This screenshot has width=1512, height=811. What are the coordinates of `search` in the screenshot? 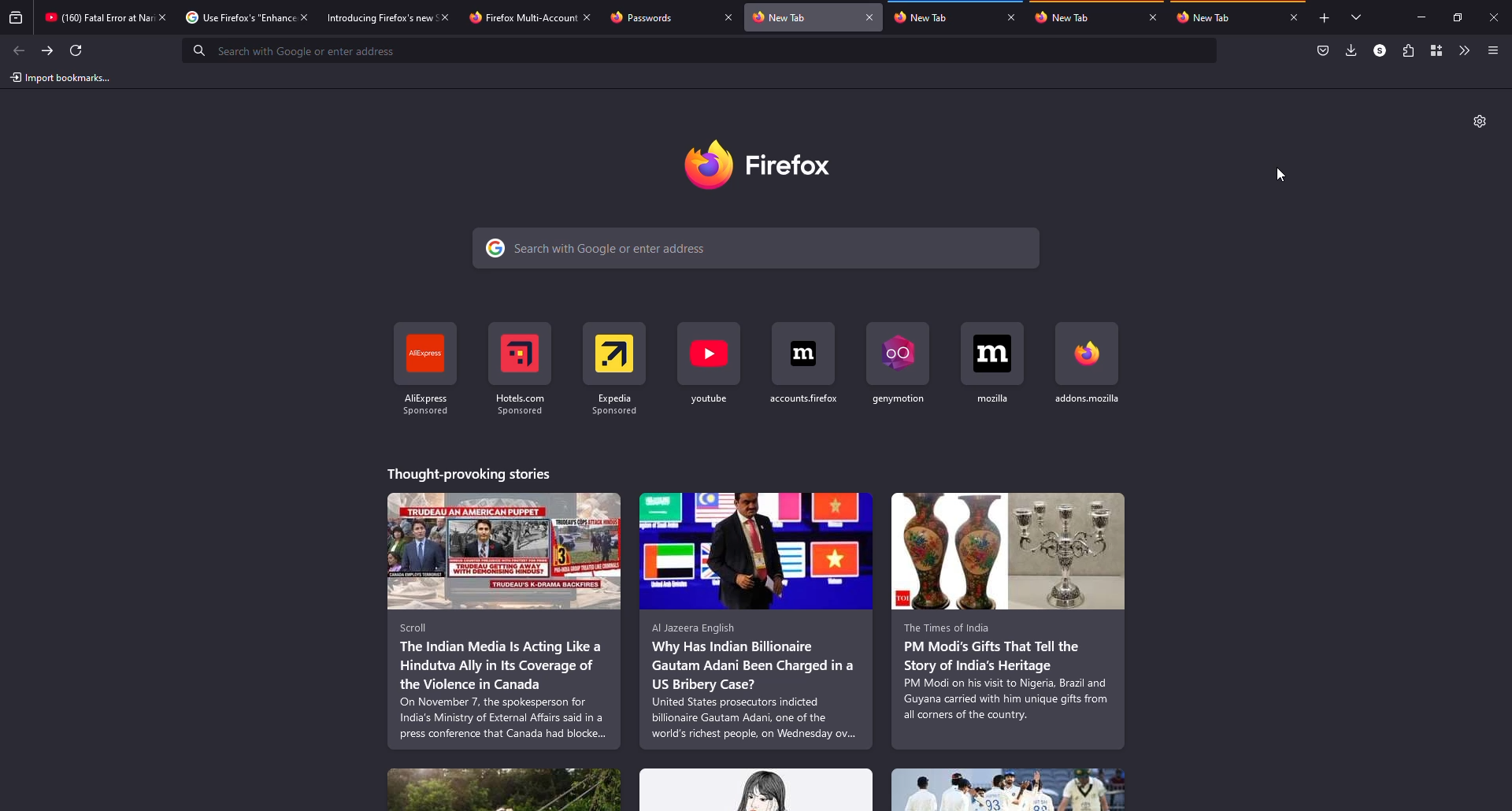 It's located at (759, 247).